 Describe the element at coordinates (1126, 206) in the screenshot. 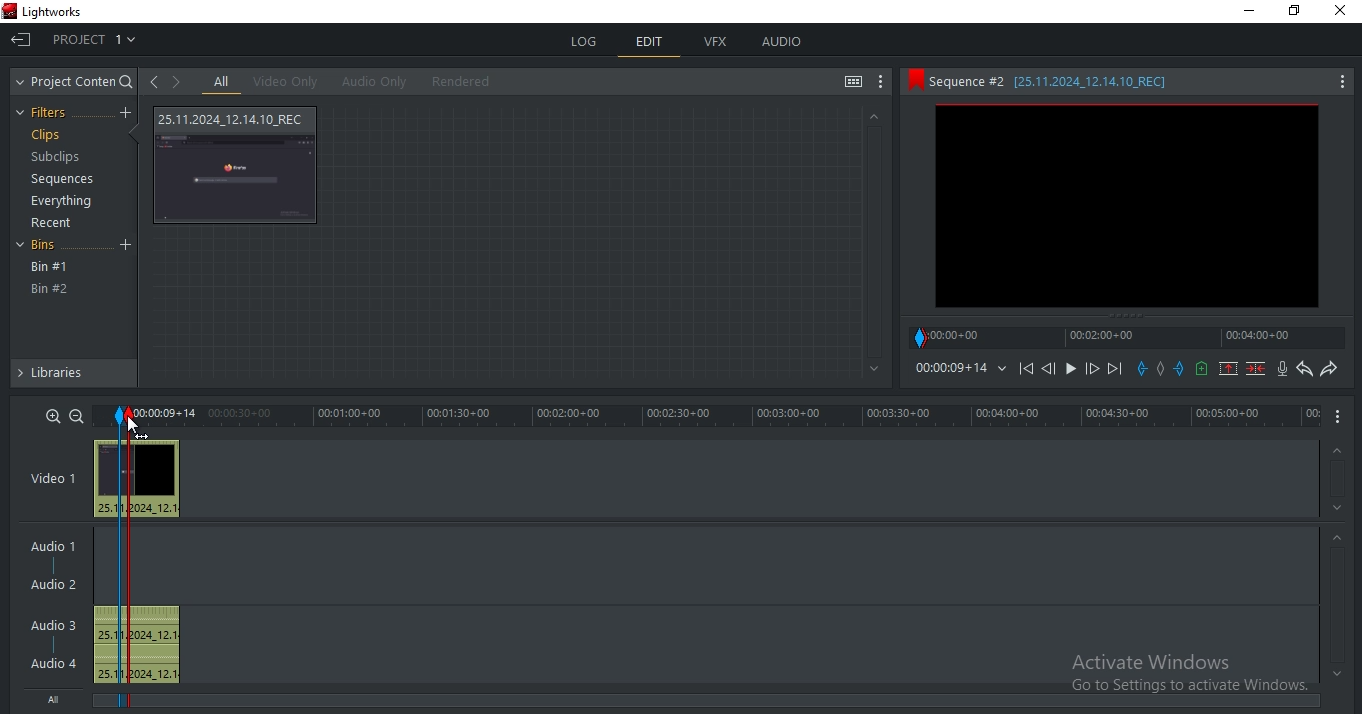

I see `clip` at that location.